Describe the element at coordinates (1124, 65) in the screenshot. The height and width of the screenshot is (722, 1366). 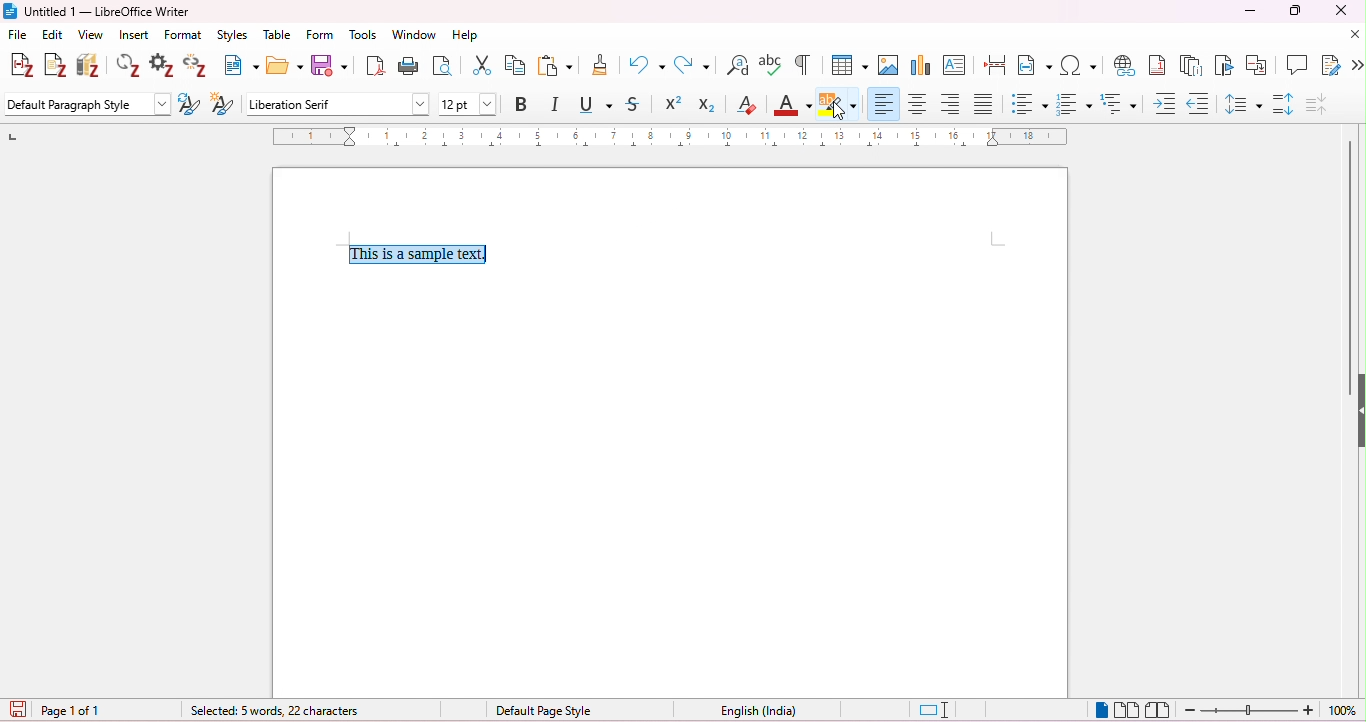
I see `insert hyperlink` at that location.